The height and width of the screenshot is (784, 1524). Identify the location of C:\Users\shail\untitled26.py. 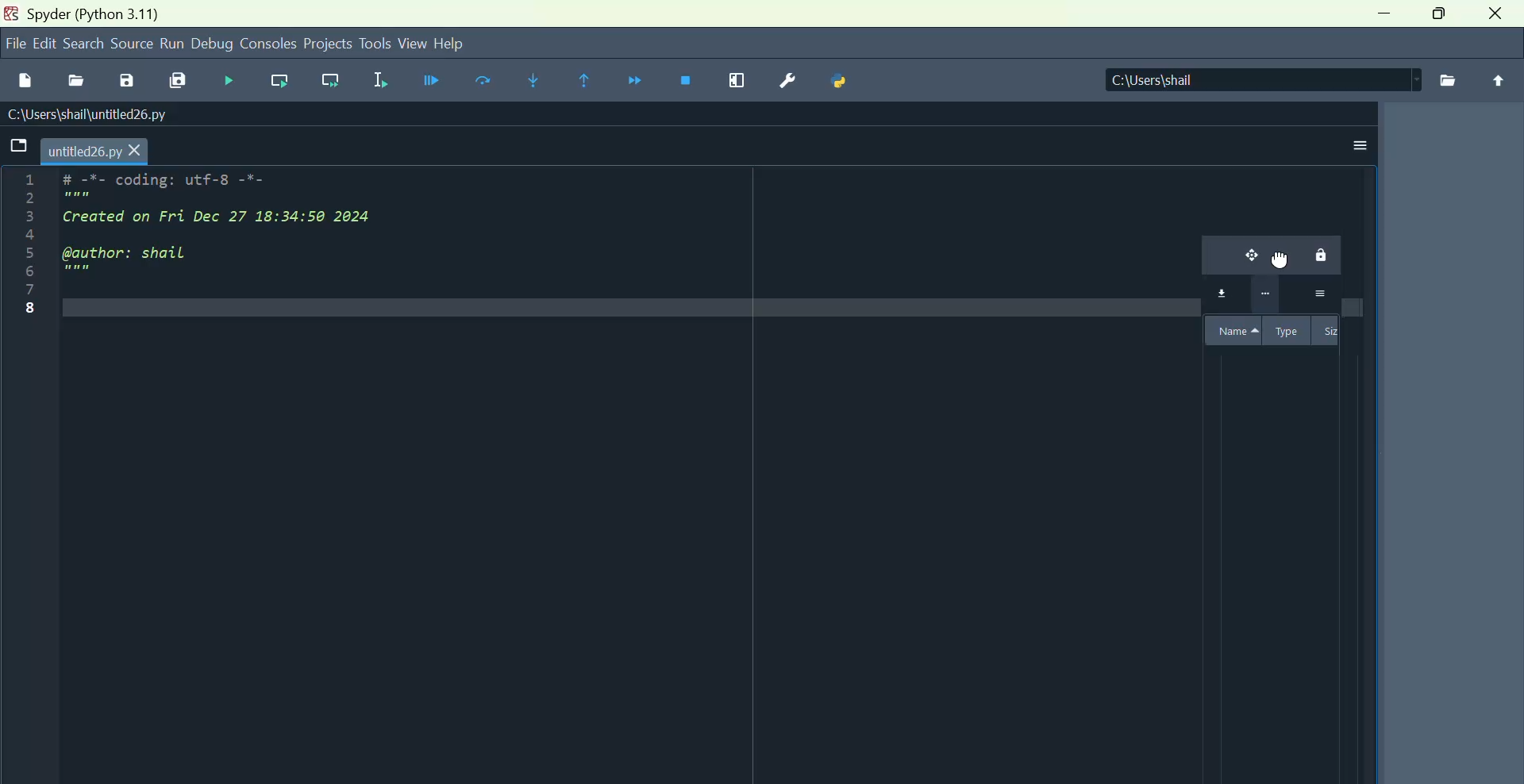
(125, 114).